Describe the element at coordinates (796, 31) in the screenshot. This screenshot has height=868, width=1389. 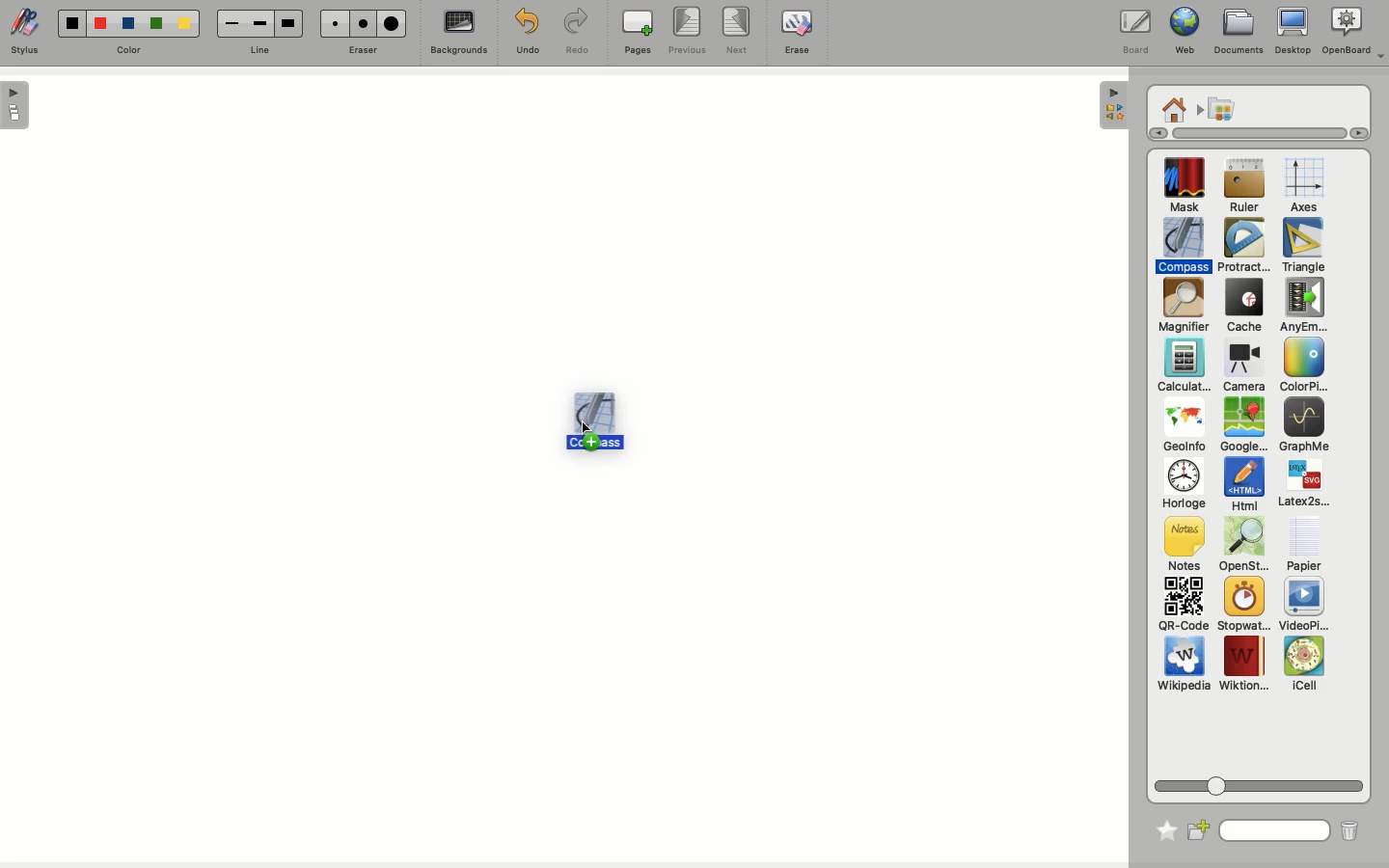
I see `Erase` at that location.